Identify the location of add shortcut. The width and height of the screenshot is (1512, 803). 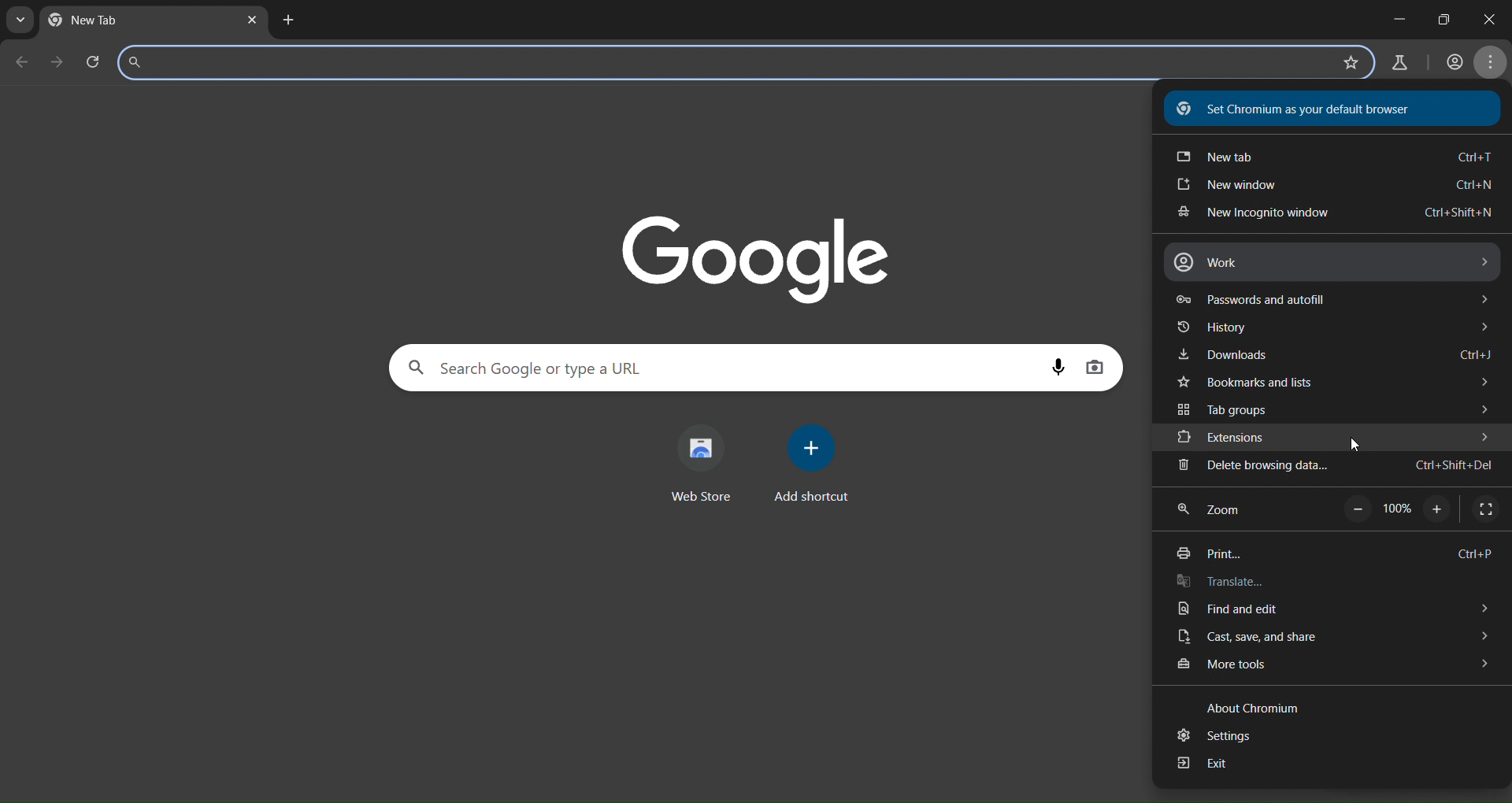
(812, 463).